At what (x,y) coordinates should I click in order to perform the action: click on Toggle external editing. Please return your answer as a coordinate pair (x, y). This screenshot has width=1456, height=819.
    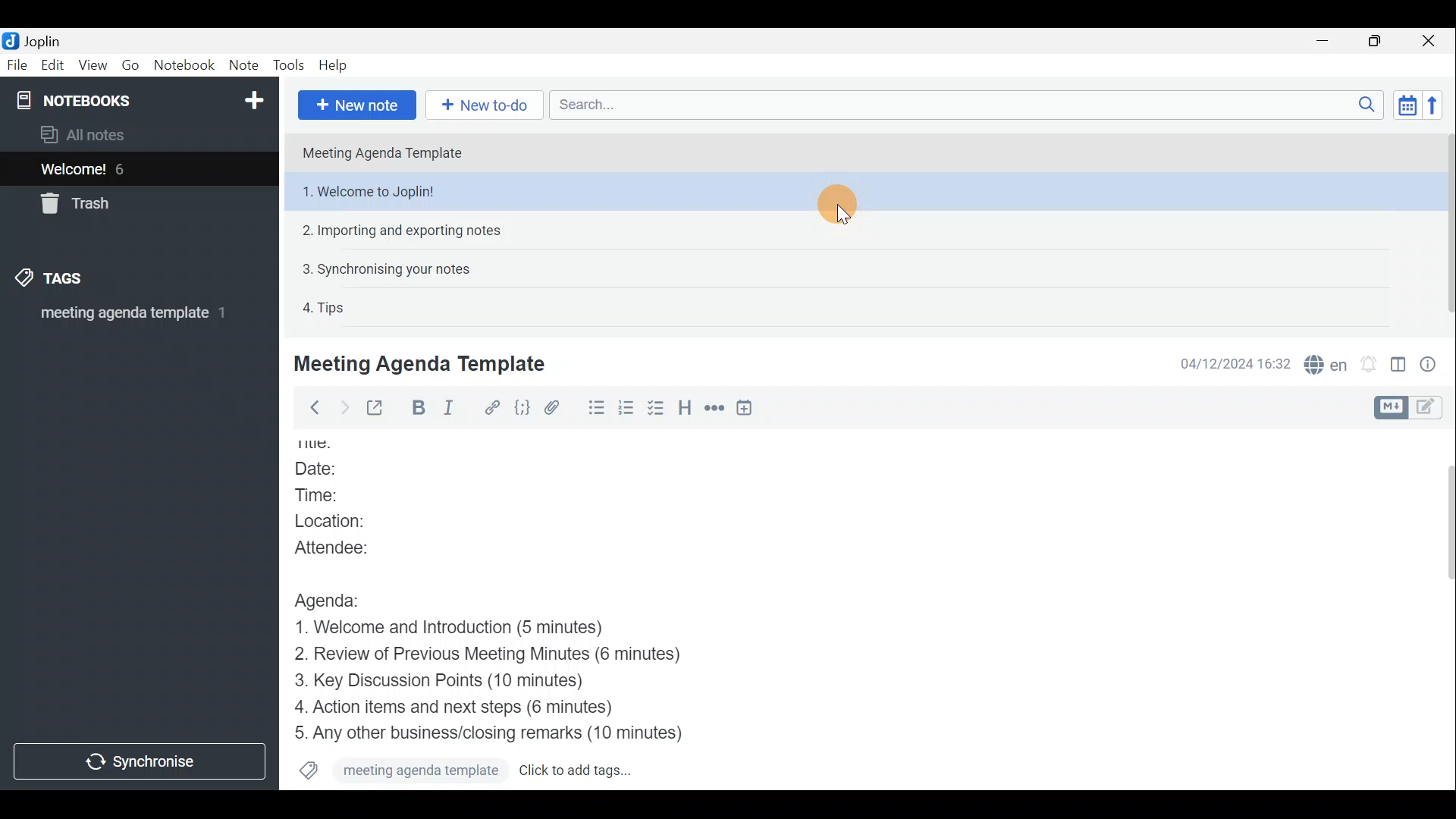
    Looking at the image, I should click on (379, 409).